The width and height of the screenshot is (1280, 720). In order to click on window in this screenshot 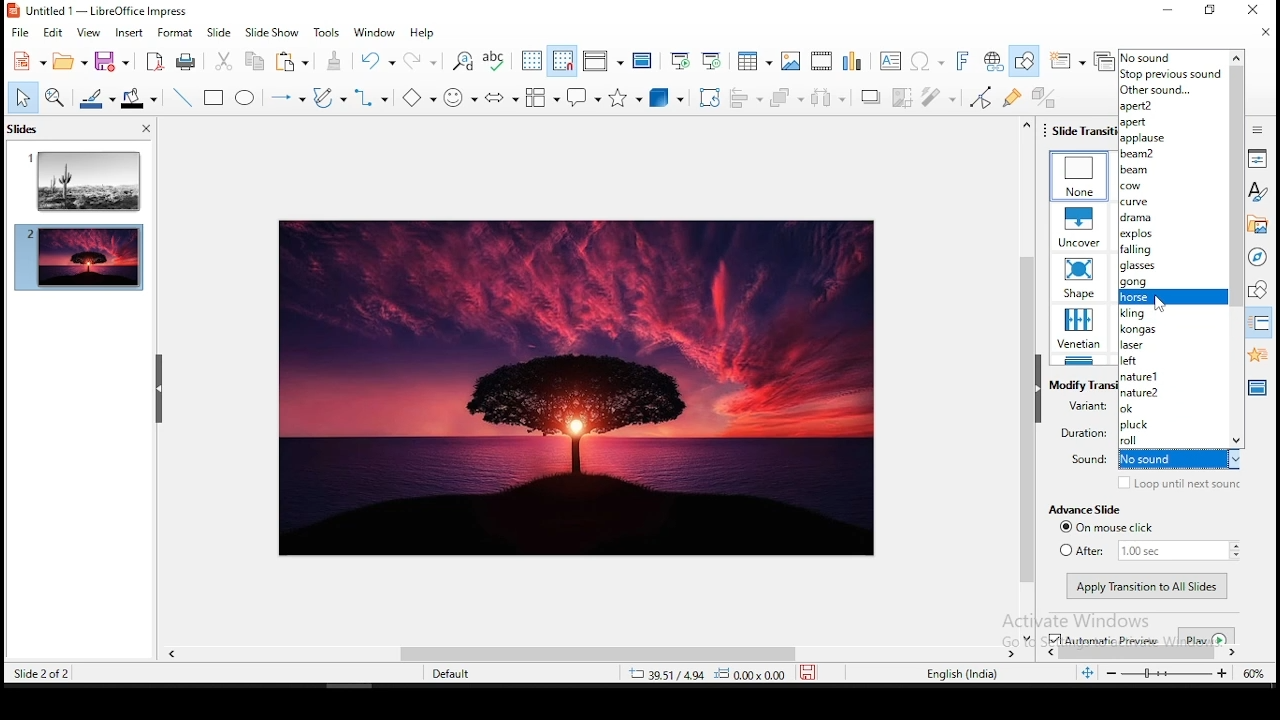, I will do `click(373, 34)`.